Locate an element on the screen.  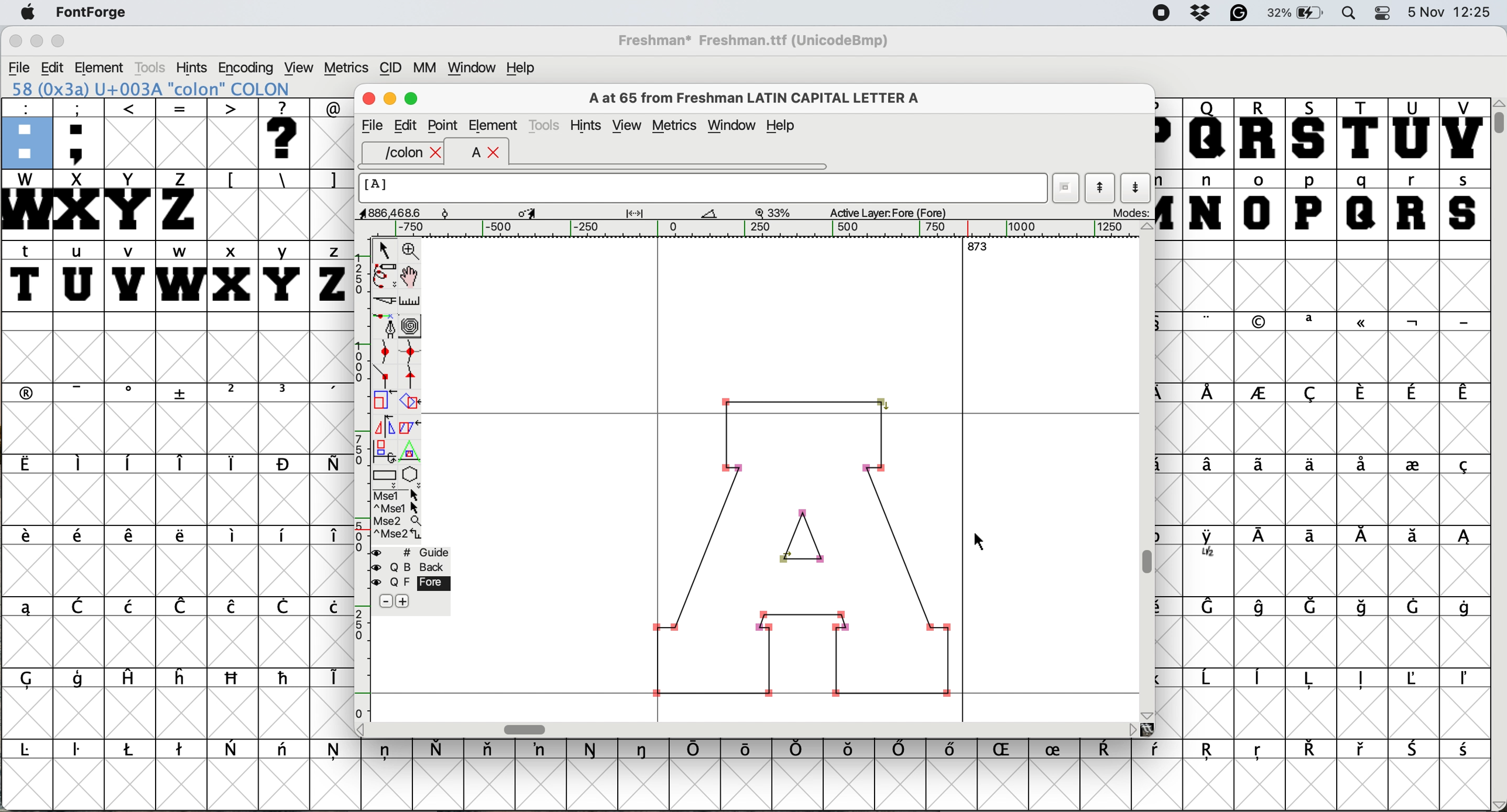
star or polygon is located at coordinates (414, 472).